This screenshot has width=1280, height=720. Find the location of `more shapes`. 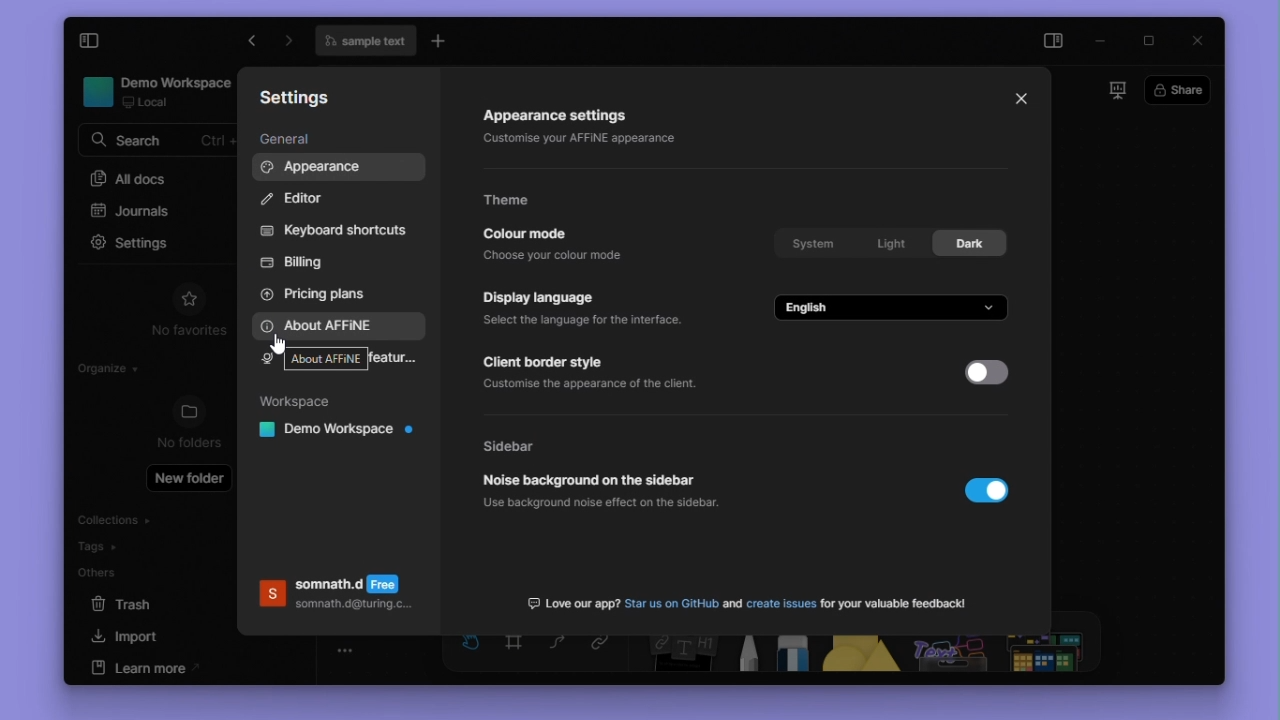

more shapes is located at coordinates (1050, 655).